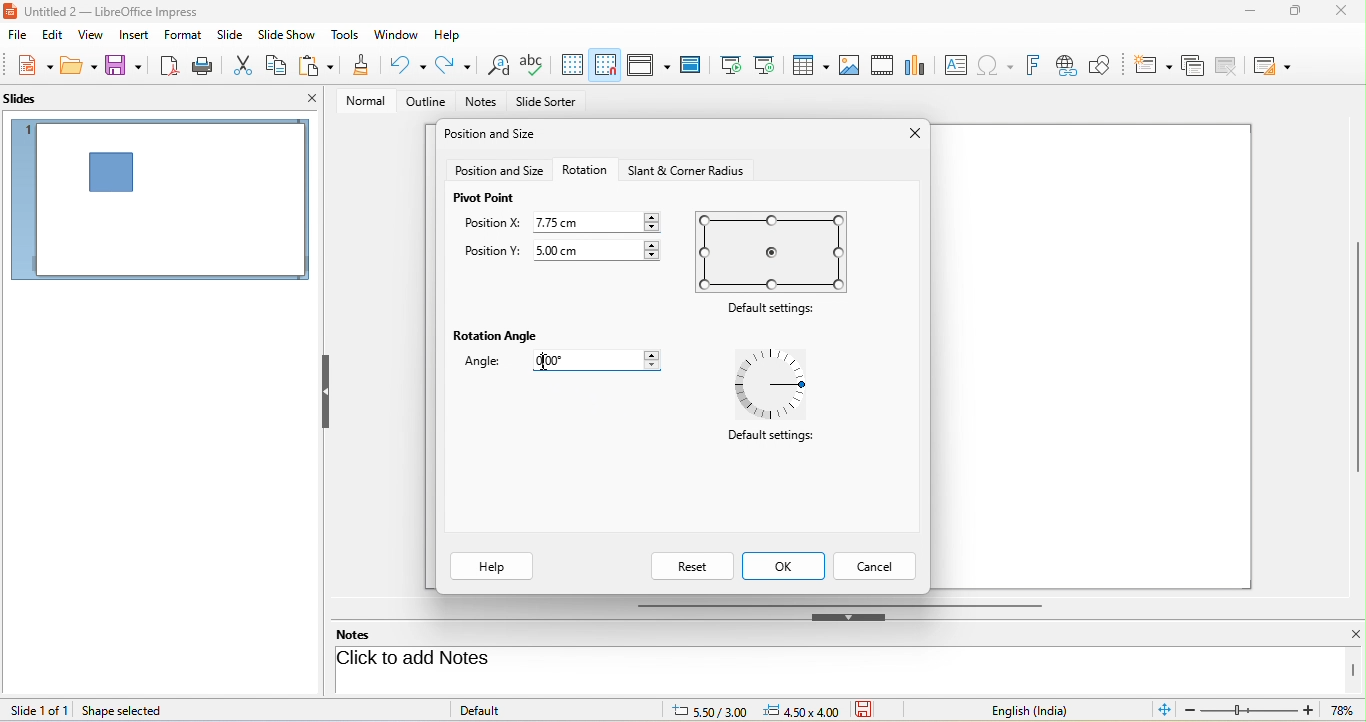  I want to click on font work text, so click(1036, 63).